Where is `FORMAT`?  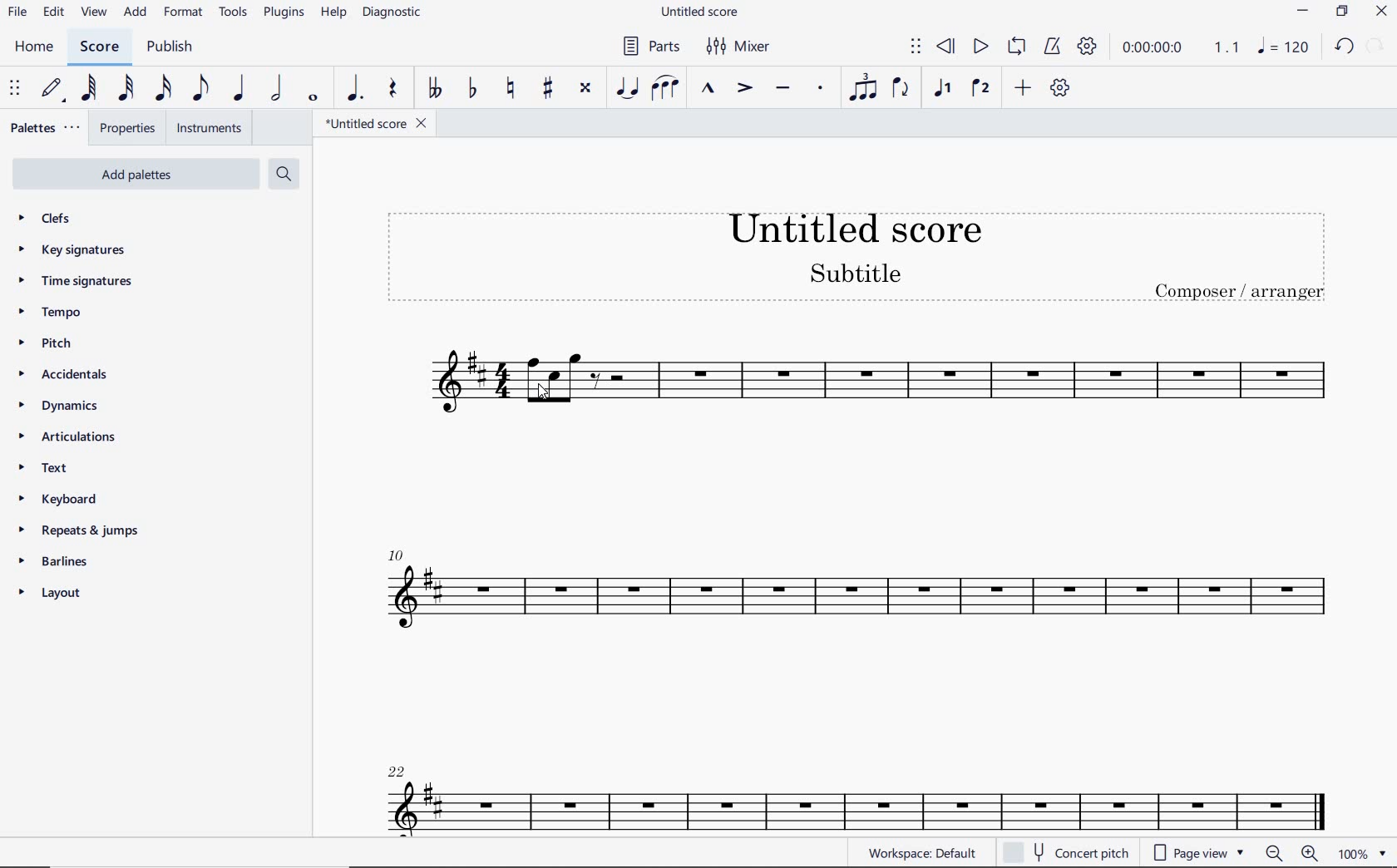
FORMAT is located at coordinates (184, 11).